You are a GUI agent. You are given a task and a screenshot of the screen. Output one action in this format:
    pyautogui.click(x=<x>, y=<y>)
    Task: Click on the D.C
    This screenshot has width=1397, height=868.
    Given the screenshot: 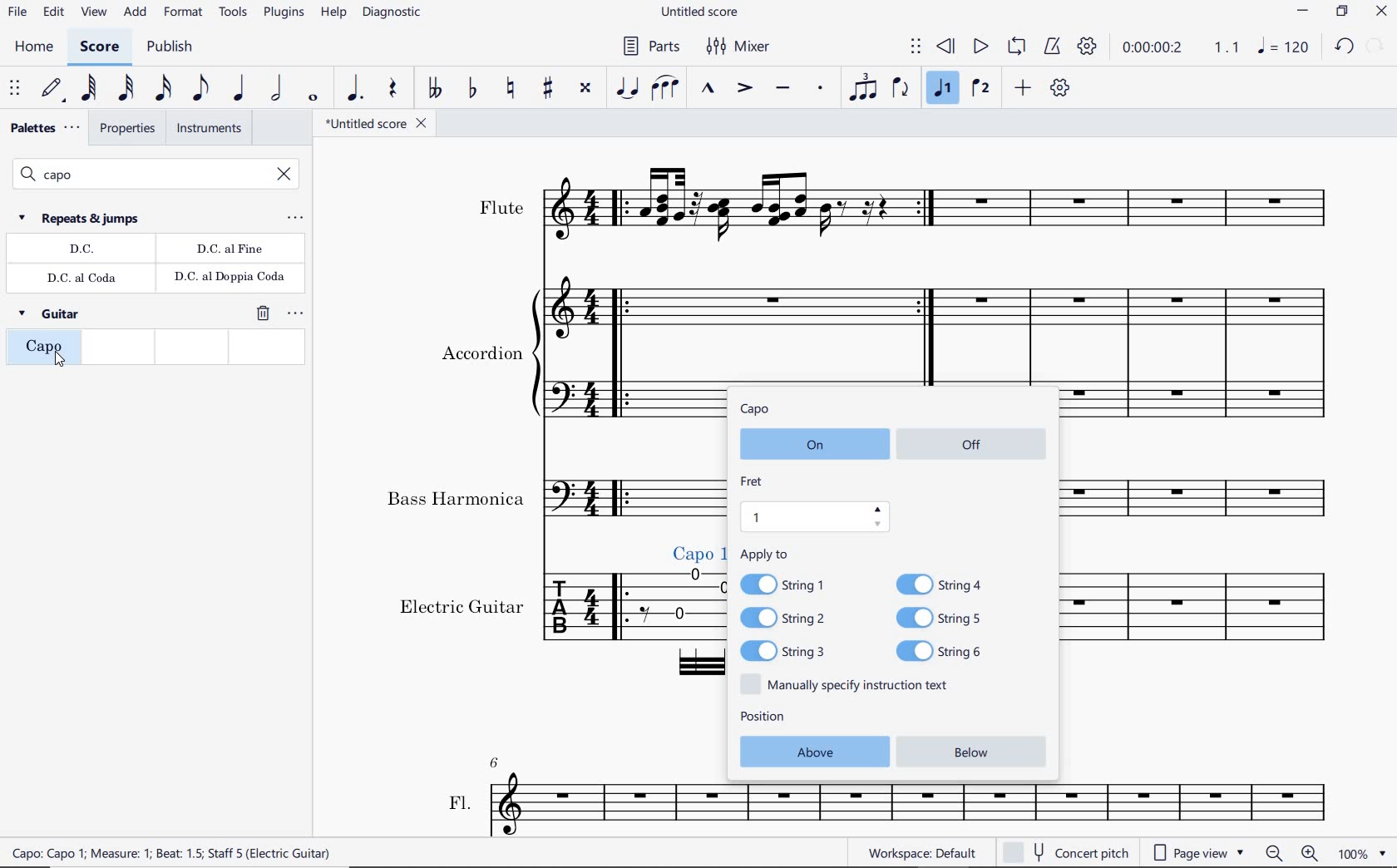 What is the action you would take?
    pyautogui.click(x=81, y=250)
    